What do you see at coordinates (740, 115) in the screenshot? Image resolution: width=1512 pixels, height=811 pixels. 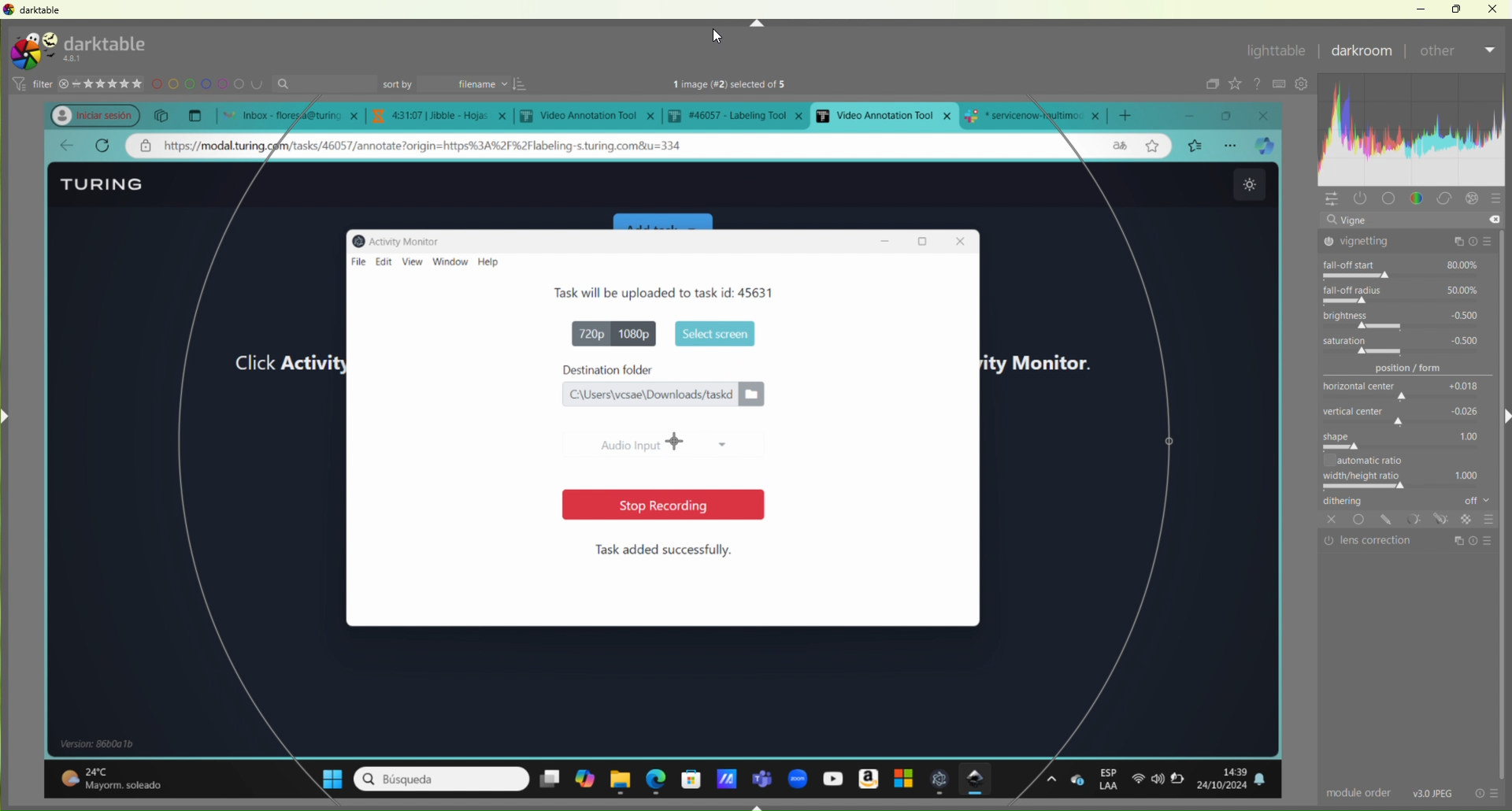 I see `tab` at bounding box center [740, 115].